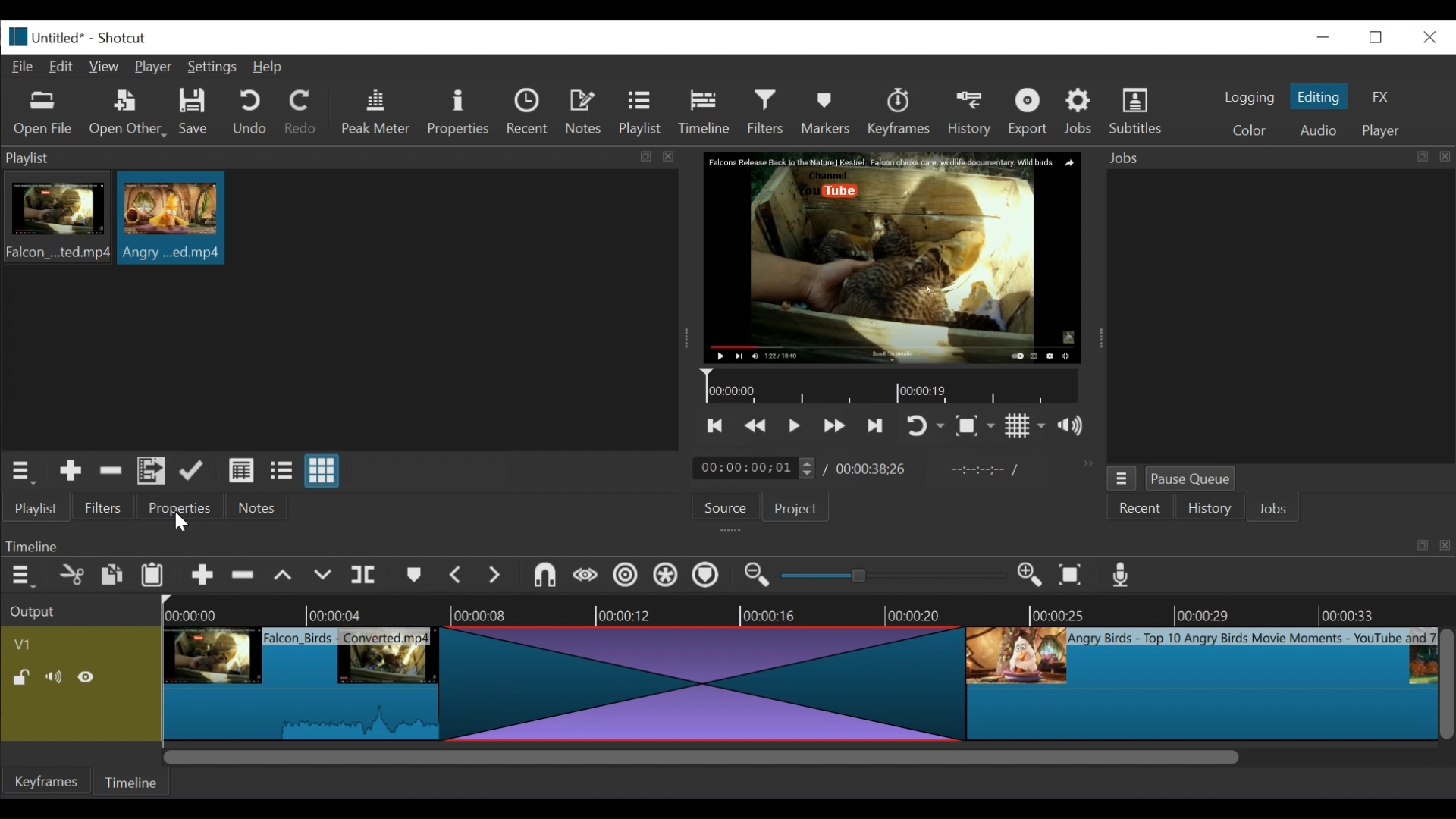 Image resolution: width=1456 pixels, height=819 pixels. Describe the element at coordinates (547, 577) in the screenshot. I see `snap` at that location.